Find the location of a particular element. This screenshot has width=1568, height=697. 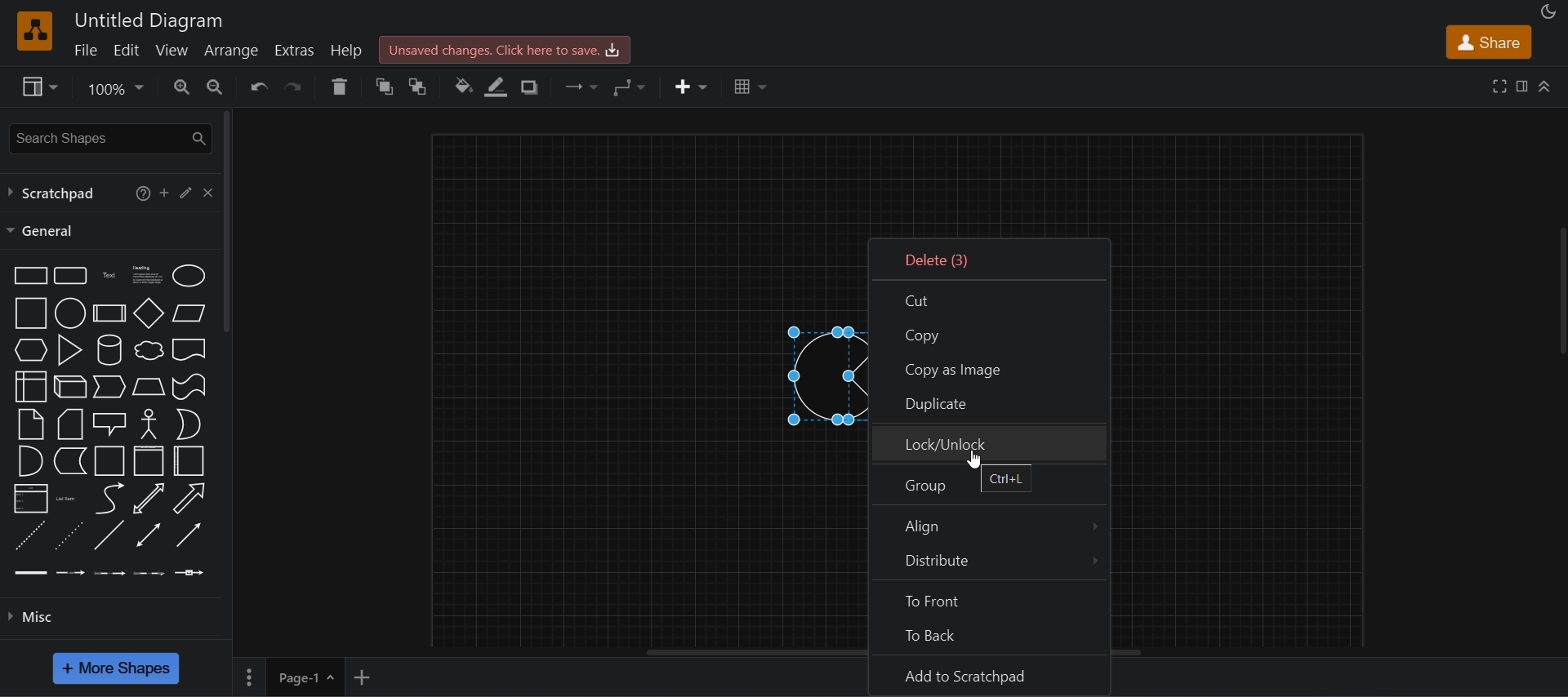

rounded rectangle is located at coordinates (69, 274).